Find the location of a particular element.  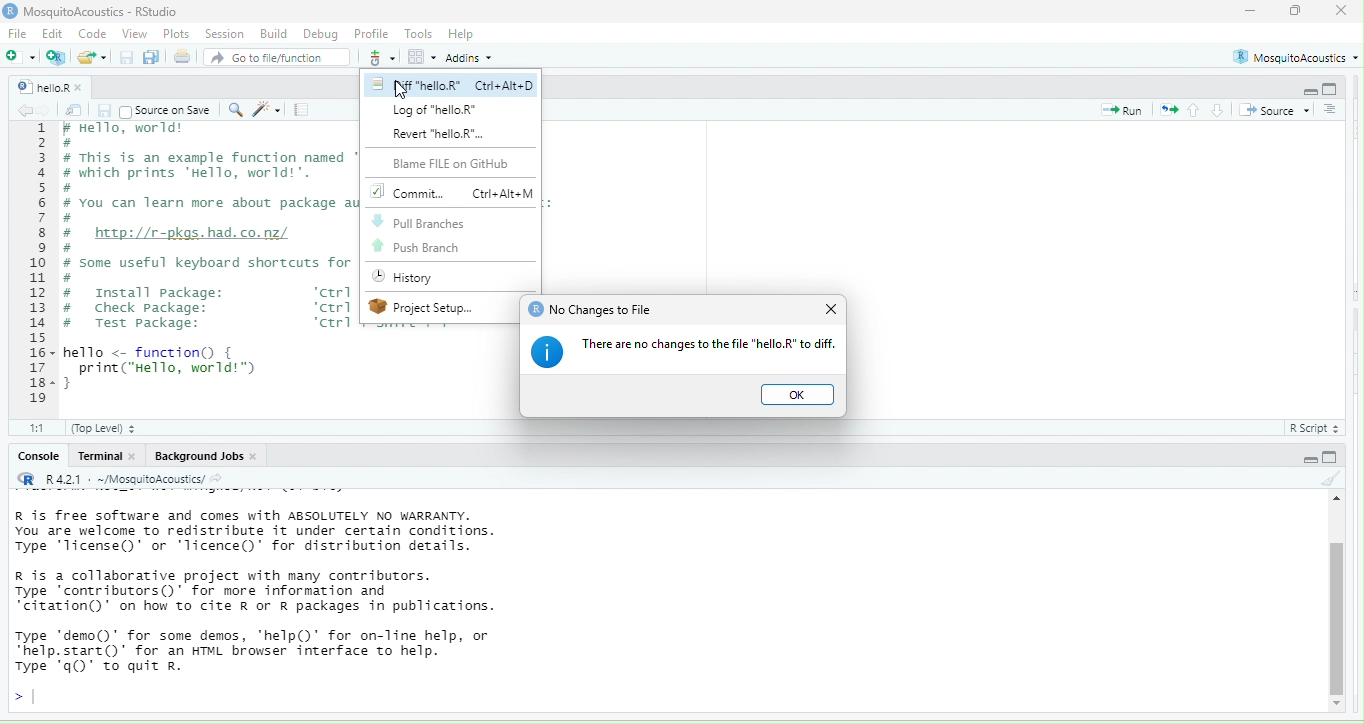

Edit is located at coordinates (53, 34).